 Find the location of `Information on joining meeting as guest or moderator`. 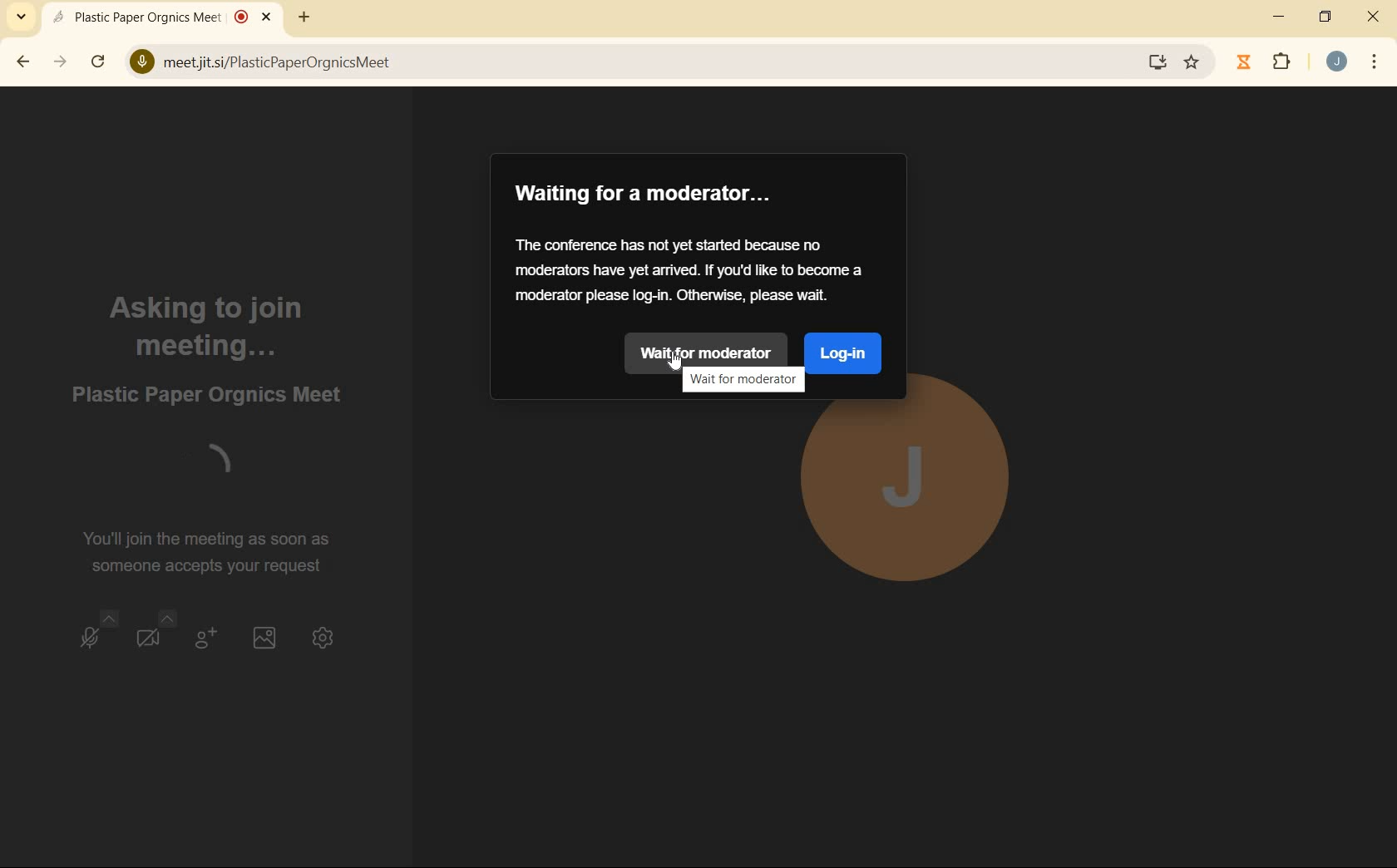

Information on joining meeting as guest or moderator is located at coordinates (691, 269).